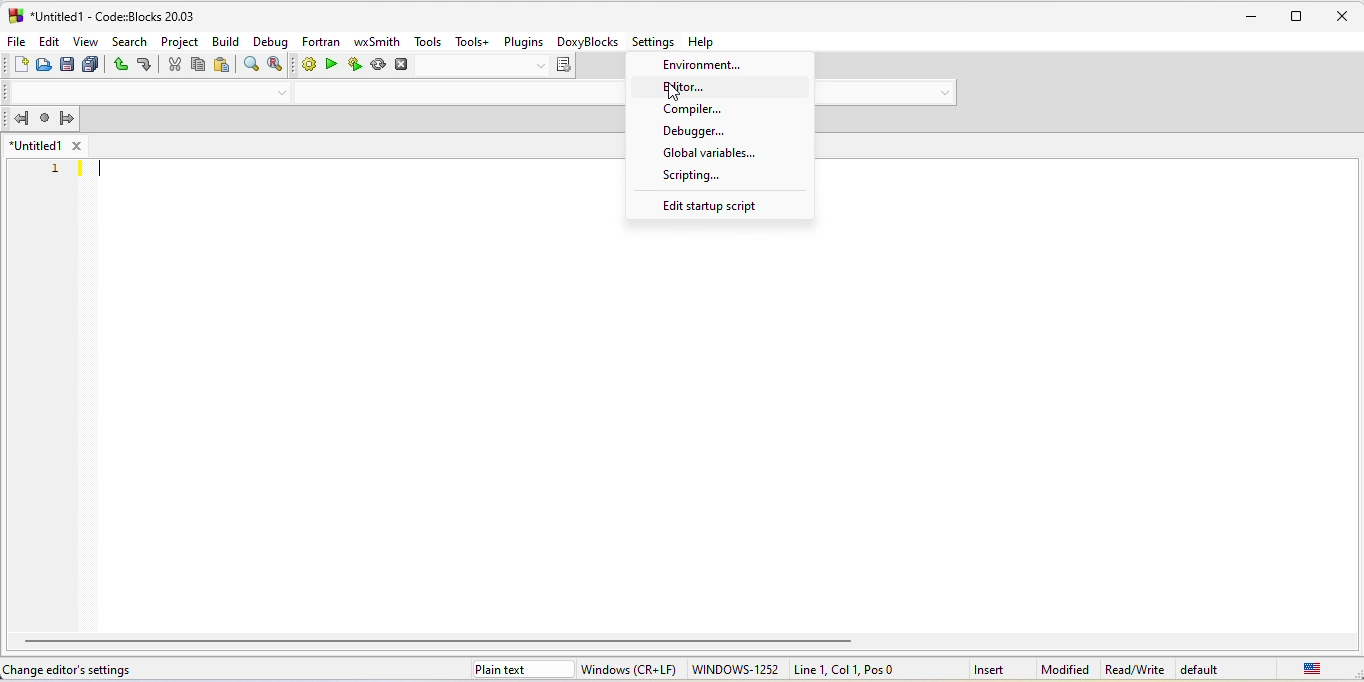 This screenshot has width=1364, height=682. What do you see at coordinates (851, 668) in the screenshot?
I see `line 1 col 1 pos 0` at bounding box center [851, 668].